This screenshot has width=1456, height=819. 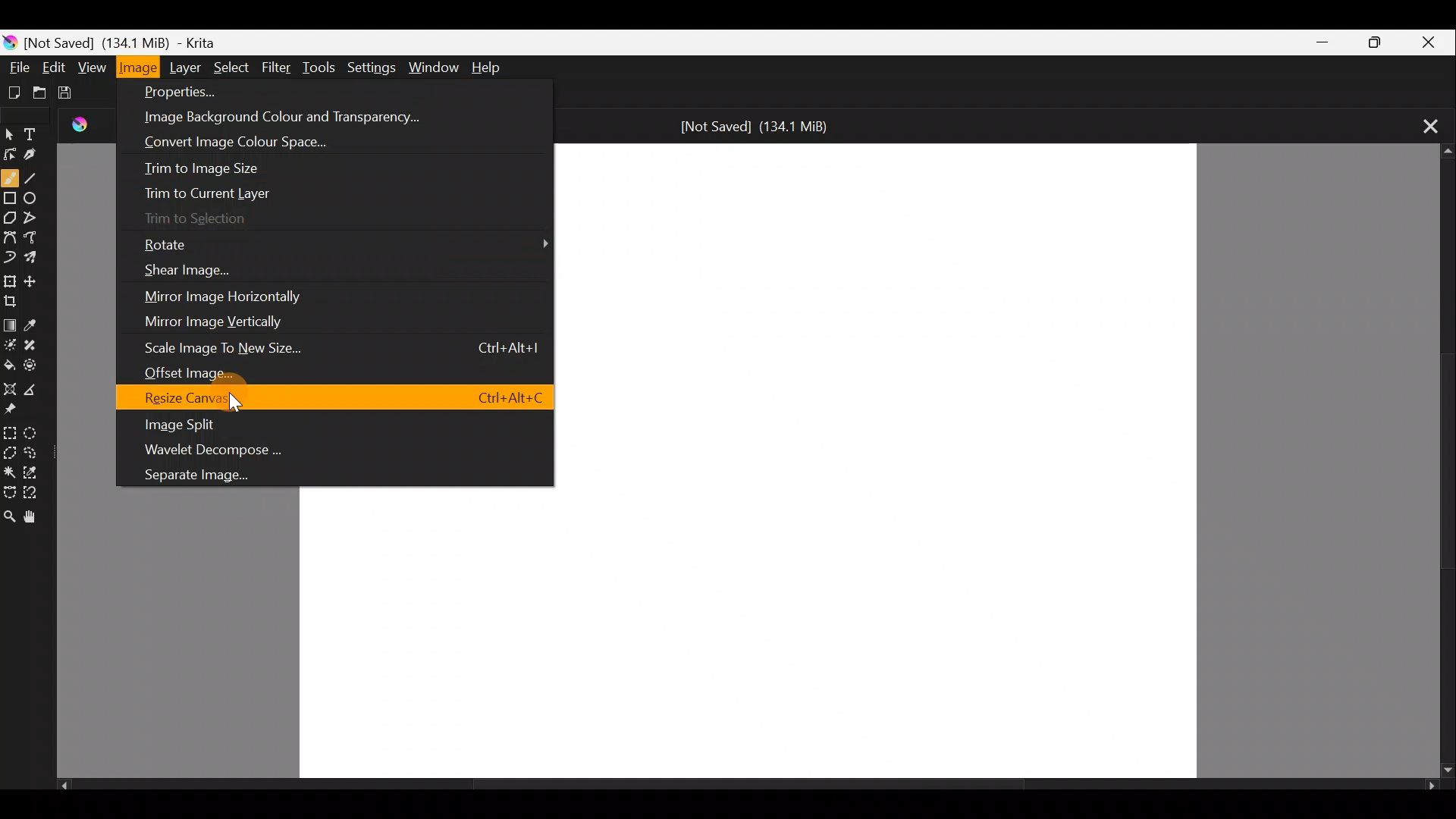 What do you see at coordinates (327, 425) in the screenshot?
I see `Image split` at bounding box center [327, 425].